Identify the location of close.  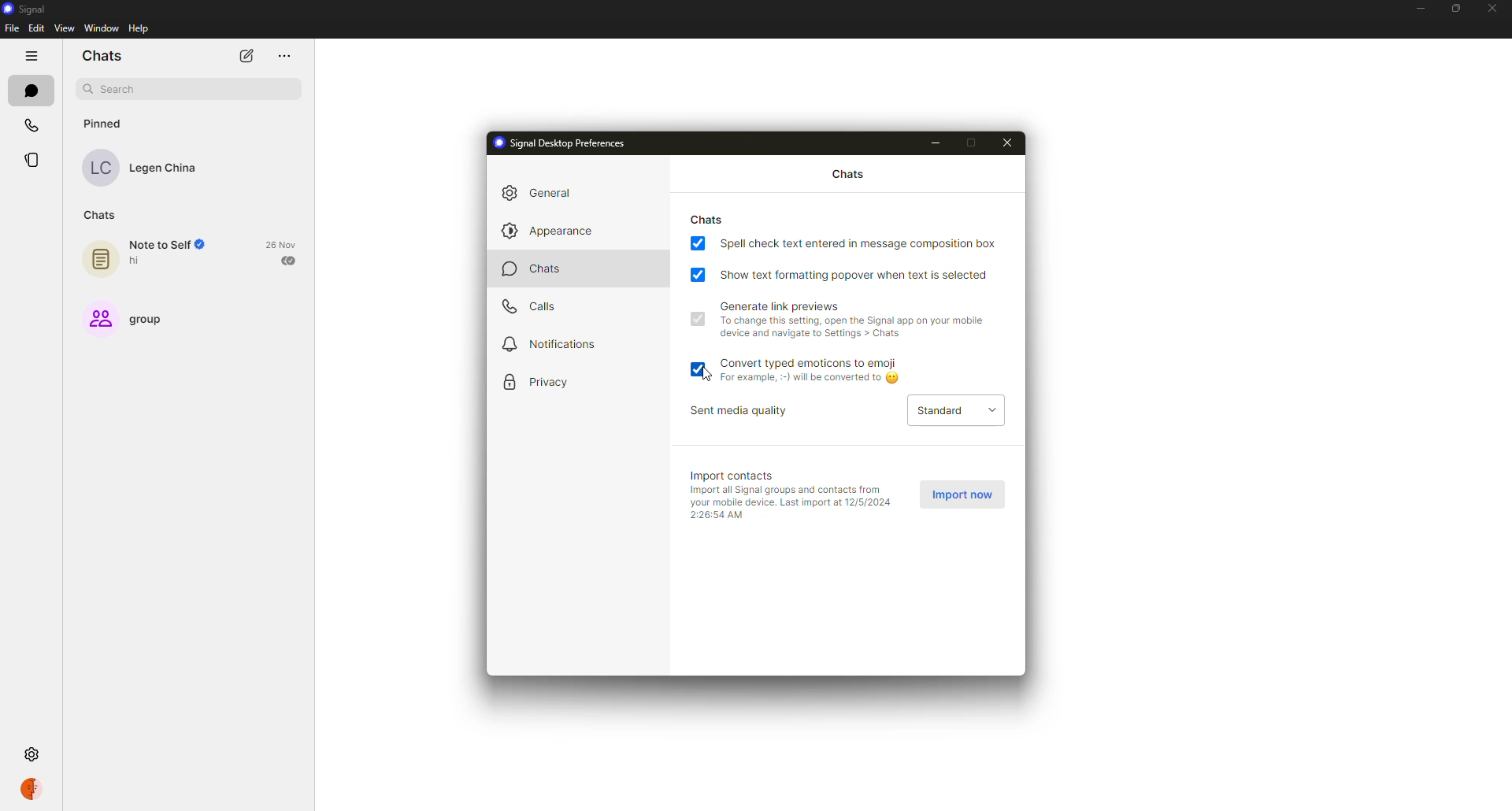
(1009, 143).